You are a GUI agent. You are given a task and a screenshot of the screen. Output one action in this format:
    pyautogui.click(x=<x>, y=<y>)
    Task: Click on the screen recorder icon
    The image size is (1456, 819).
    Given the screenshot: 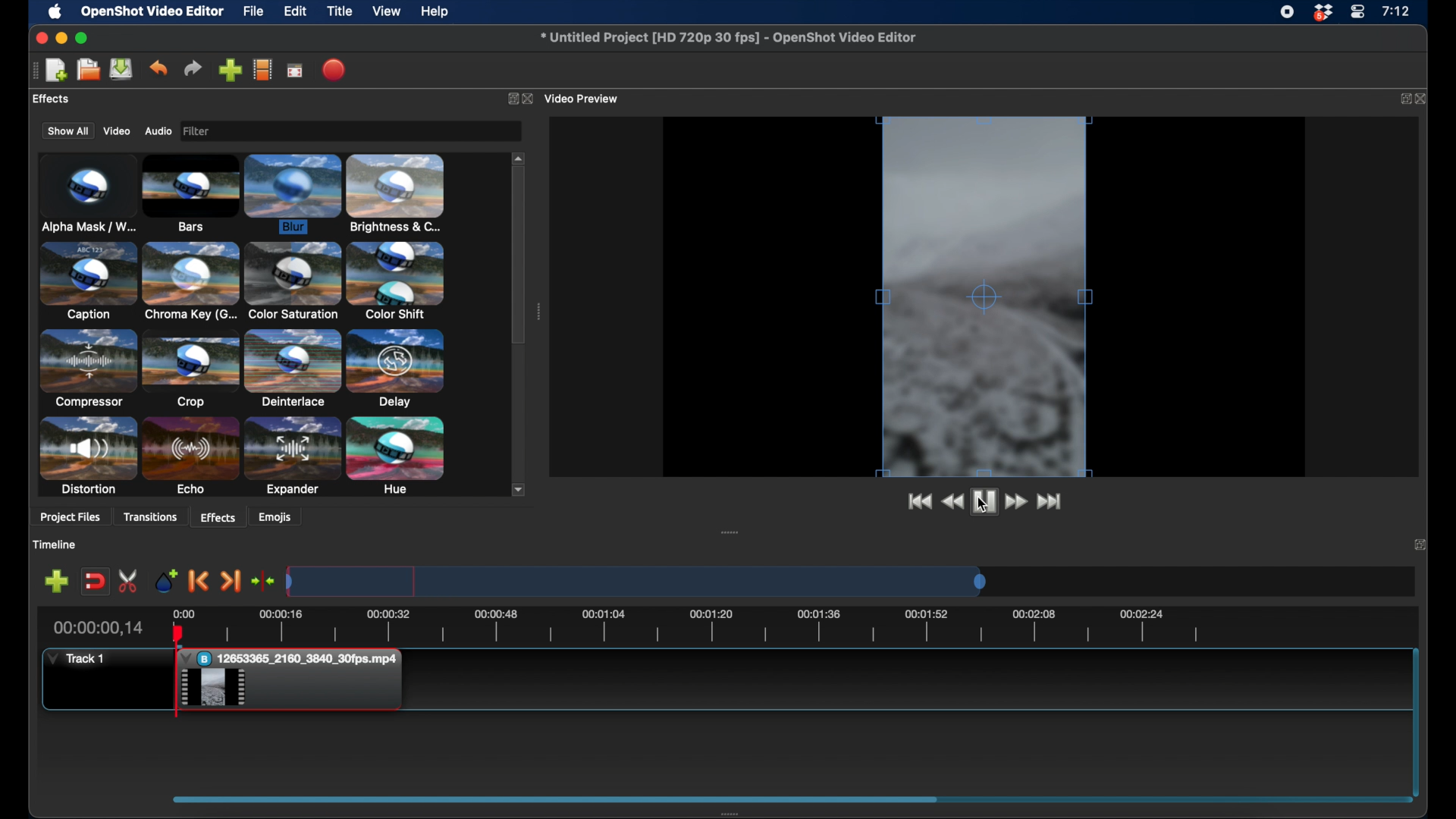 What is the action you would take?
    pyautogui.click(x=1287, y=12)
    